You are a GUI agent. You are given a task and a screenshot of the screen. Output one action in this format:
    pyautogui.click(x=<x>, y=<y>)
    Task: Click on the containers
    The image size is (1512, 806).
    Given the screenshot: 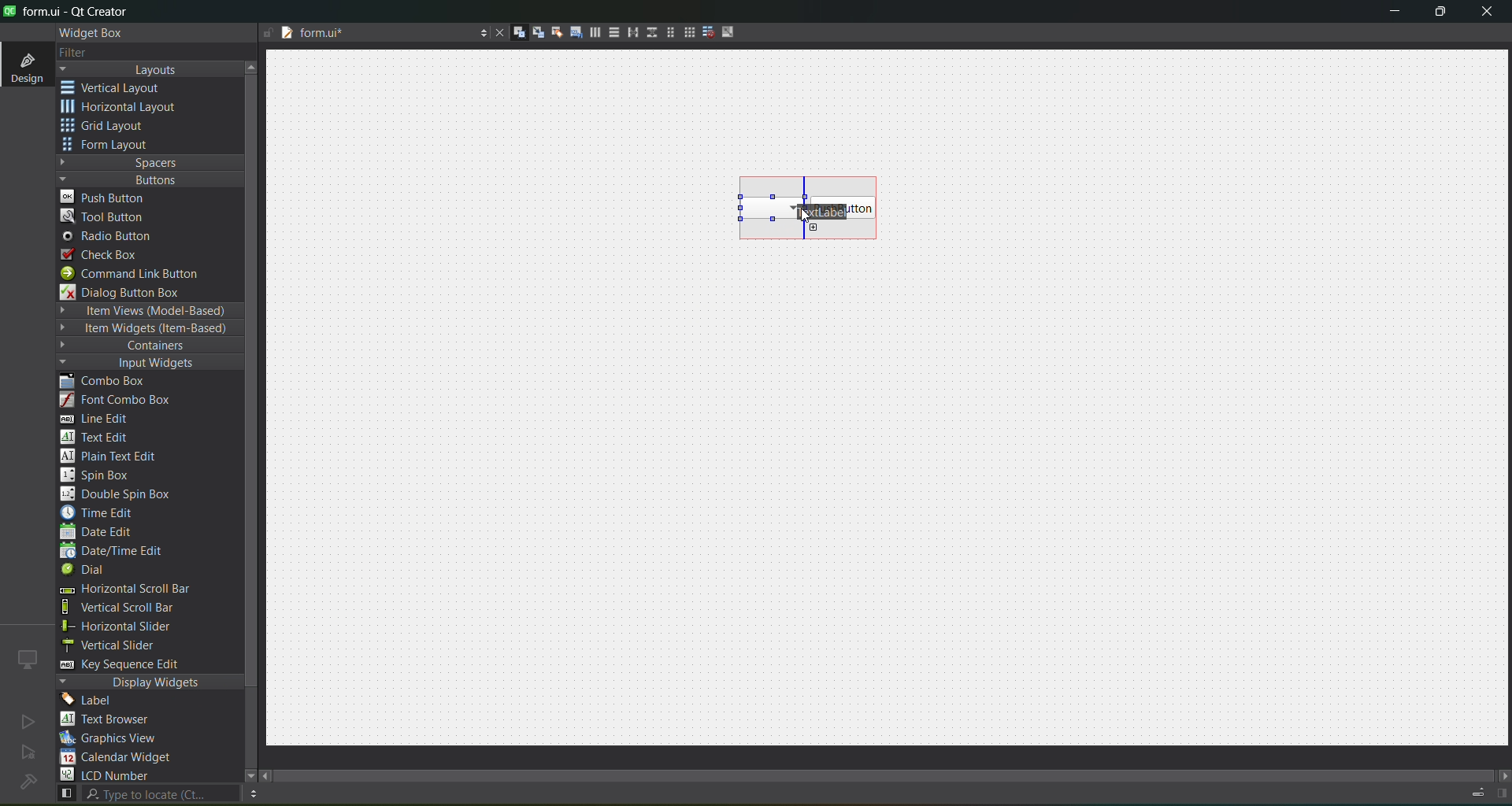 What is the action you would take?
    pyautogui.click(x=142, y=346)
    